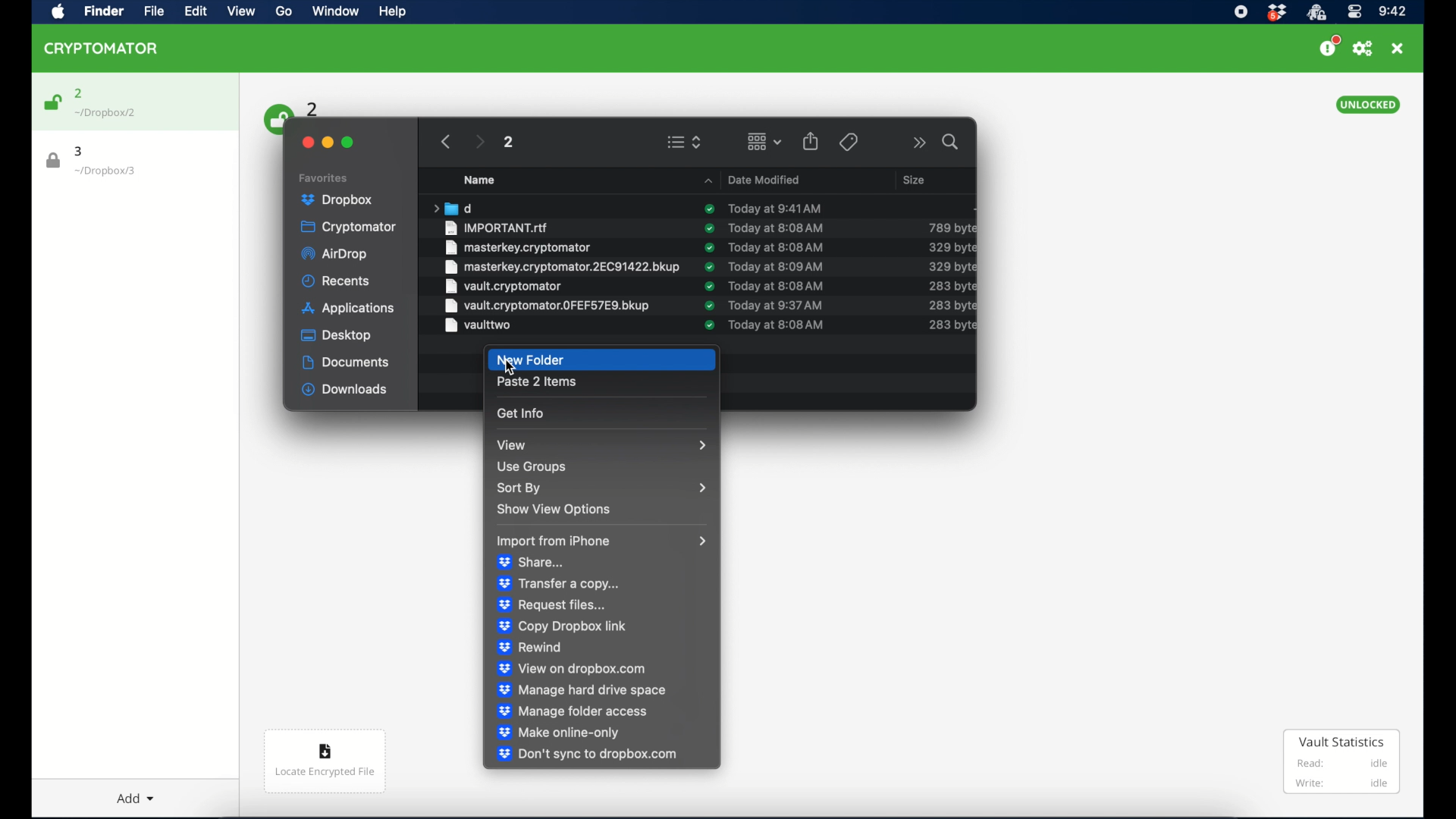 The width and height of the screenshot is (1456, 819). I want to click on sort by menu, so click(604, 488).